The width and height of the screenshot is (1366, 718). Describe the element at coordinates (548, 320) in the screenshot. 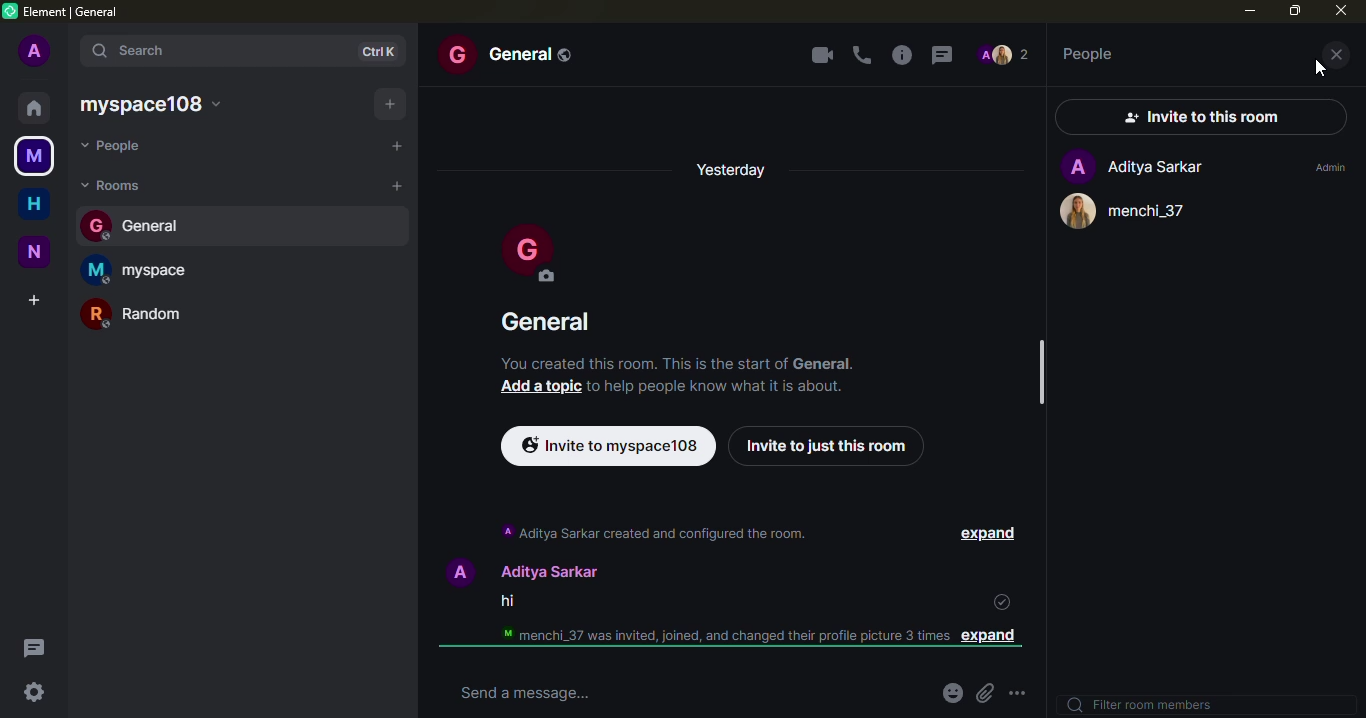

I see `general` at that location.